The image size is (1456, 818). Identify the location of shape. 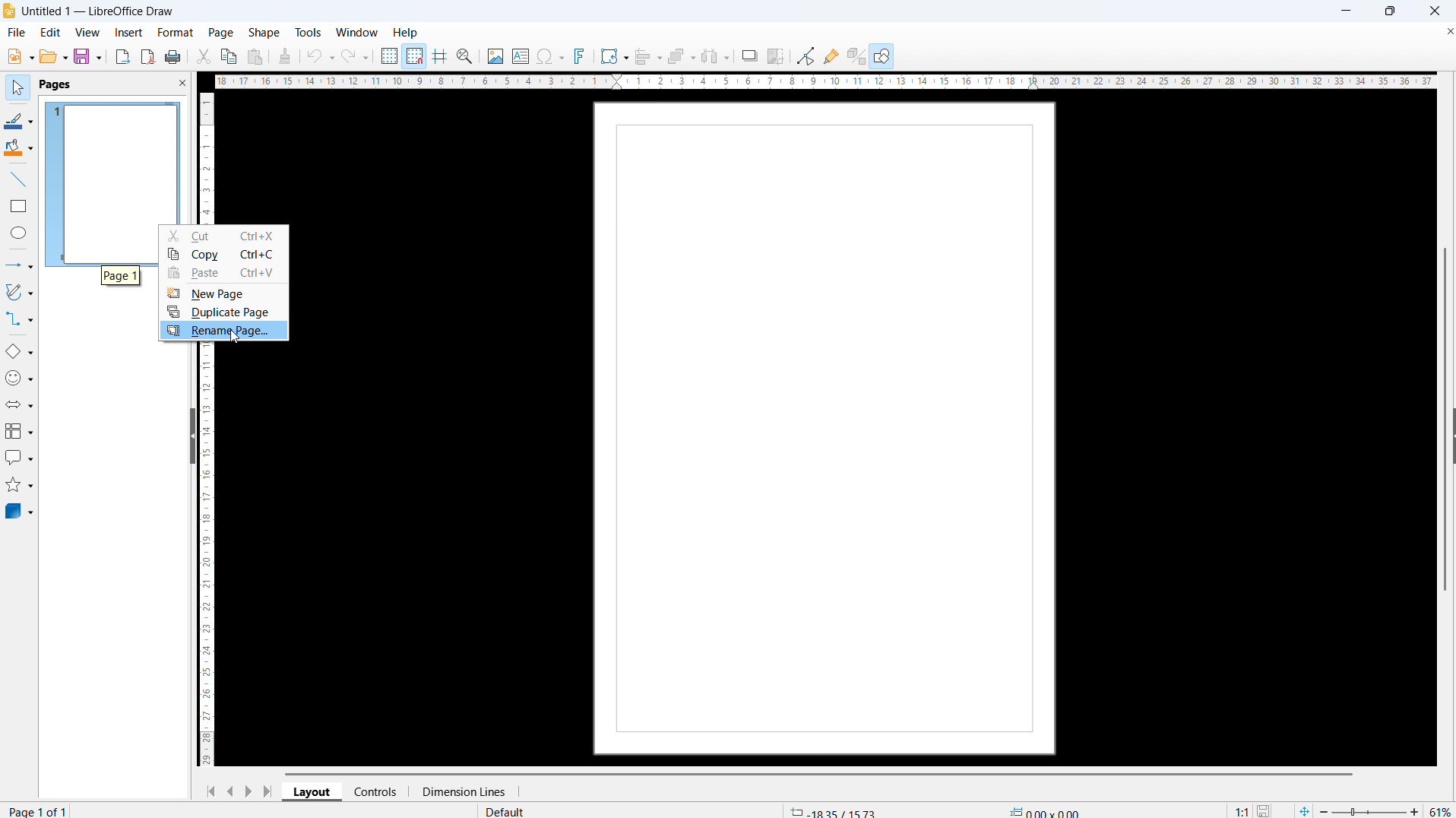
(264, 33).